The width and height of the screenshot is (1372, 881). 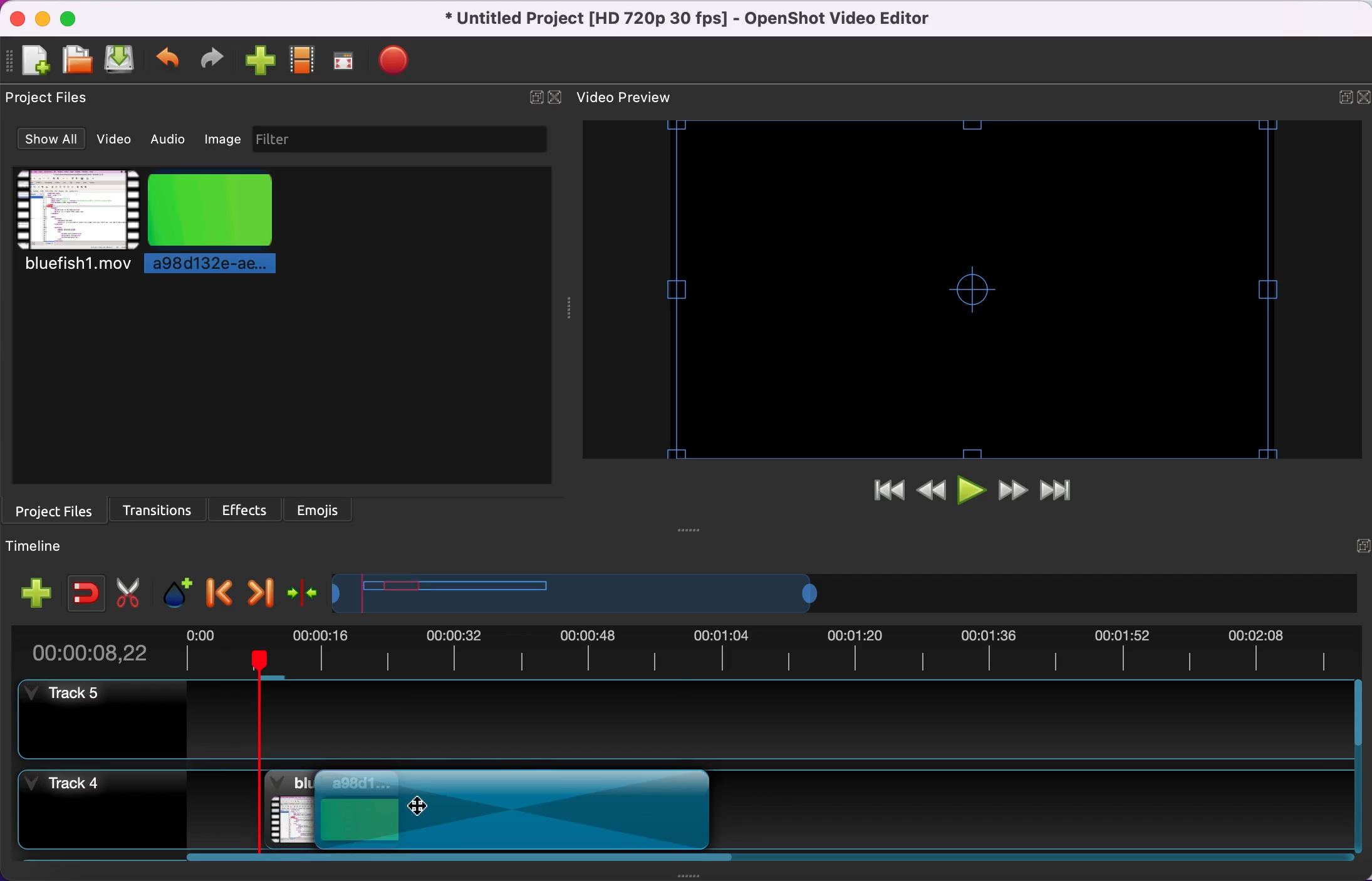 What do you see at coordinates (326, 511) in the screenshot?
I see `emojis` at bounding box center [326, 511].